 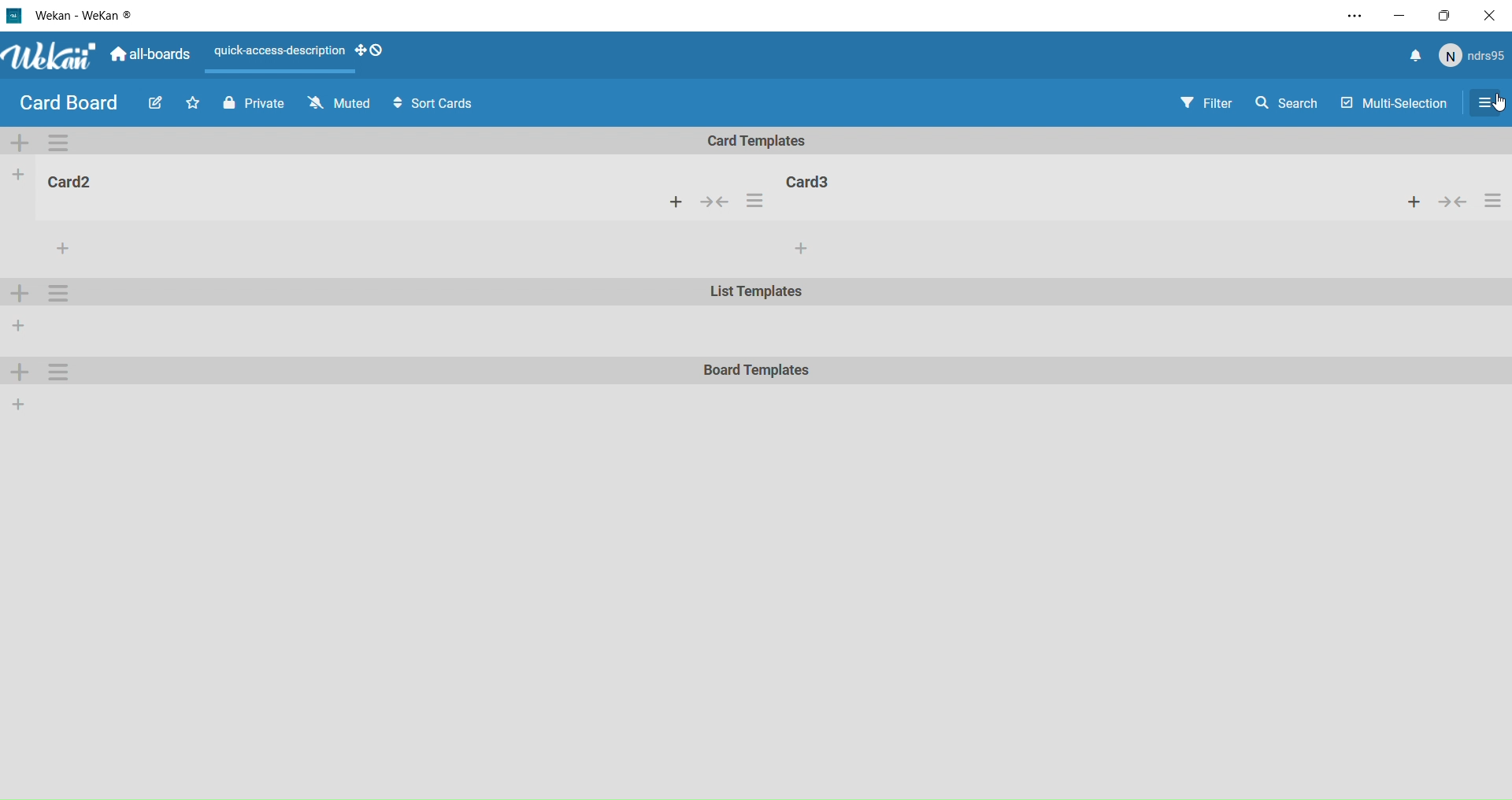 I want to click on Add, so click(x=22, y=374).